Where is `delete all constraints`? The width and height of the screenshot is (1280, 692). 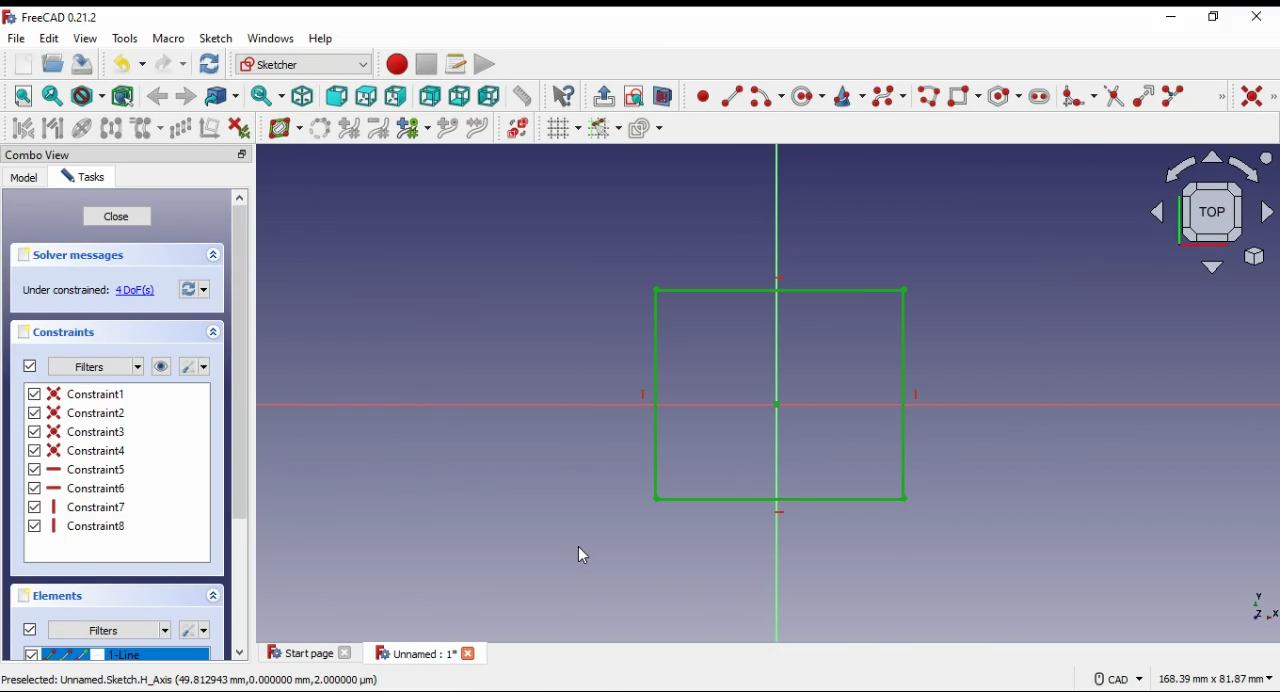
delete all constraints is located at coordinates (239, 129).